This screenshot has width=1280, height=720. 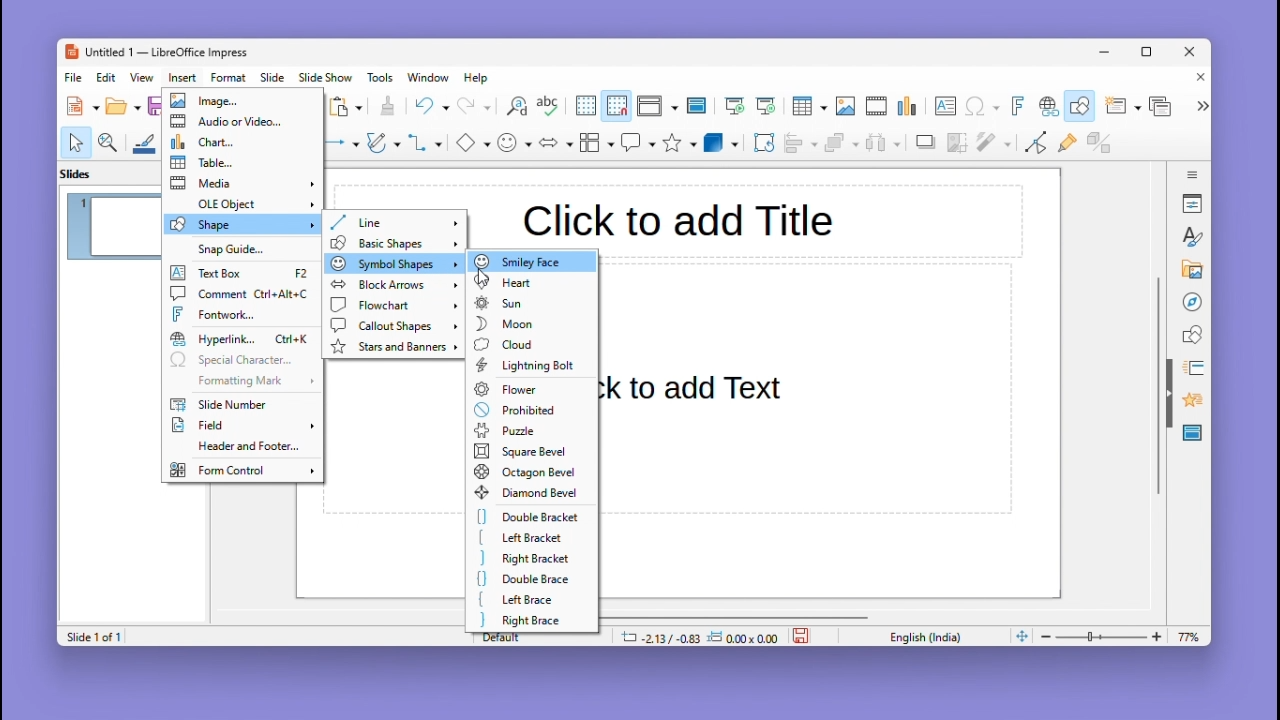 What do you see at coordinates (431, 106) in the screenshot?
I see `undo` at bounding box center [431, 106].